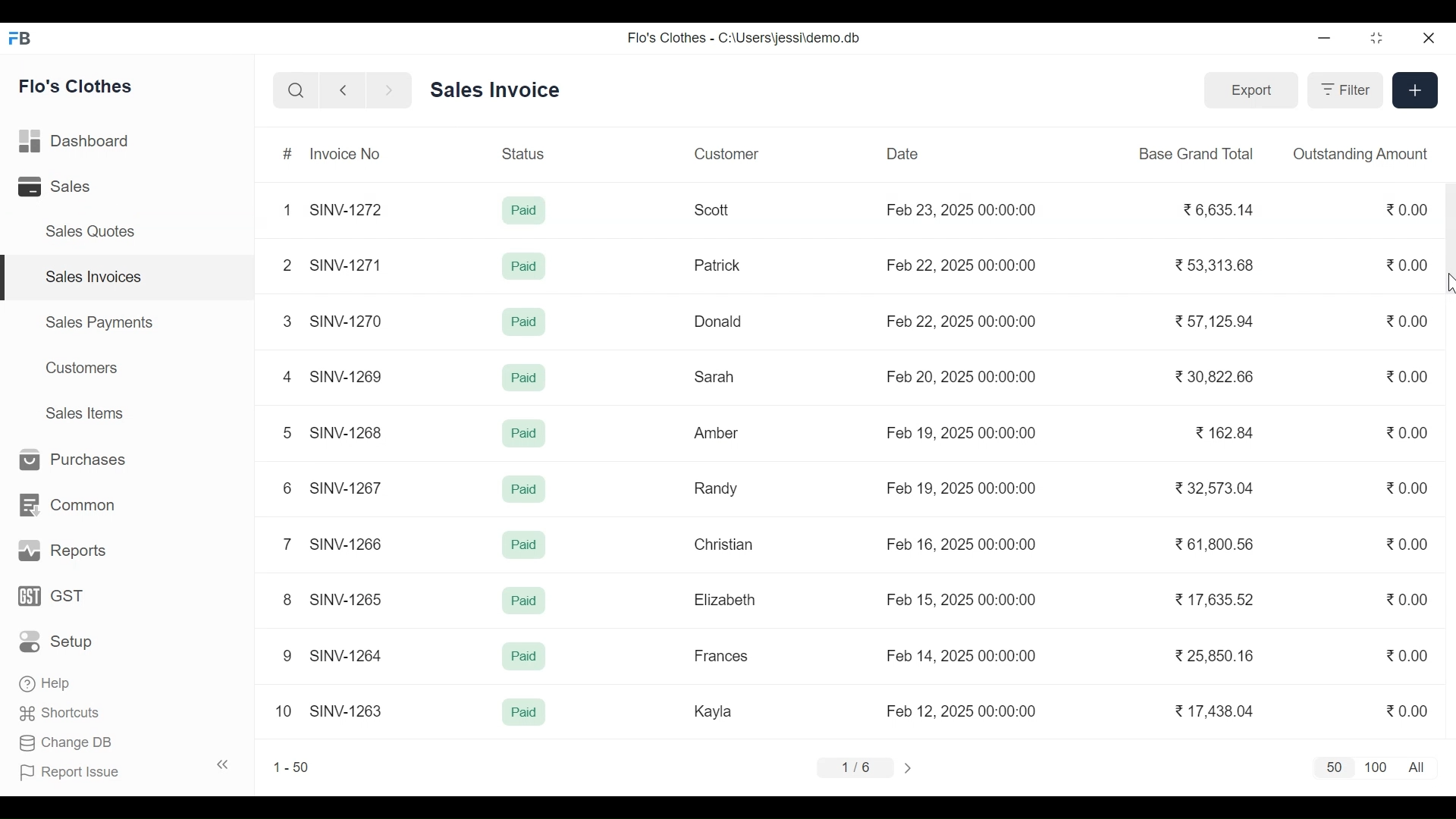 This screenshot has width=1456, height=819. What do you see at coordinates (965, 211) in the screenshot?
I see `Feb 23, 2025 00:00:00` at bounding box center [965, 211].